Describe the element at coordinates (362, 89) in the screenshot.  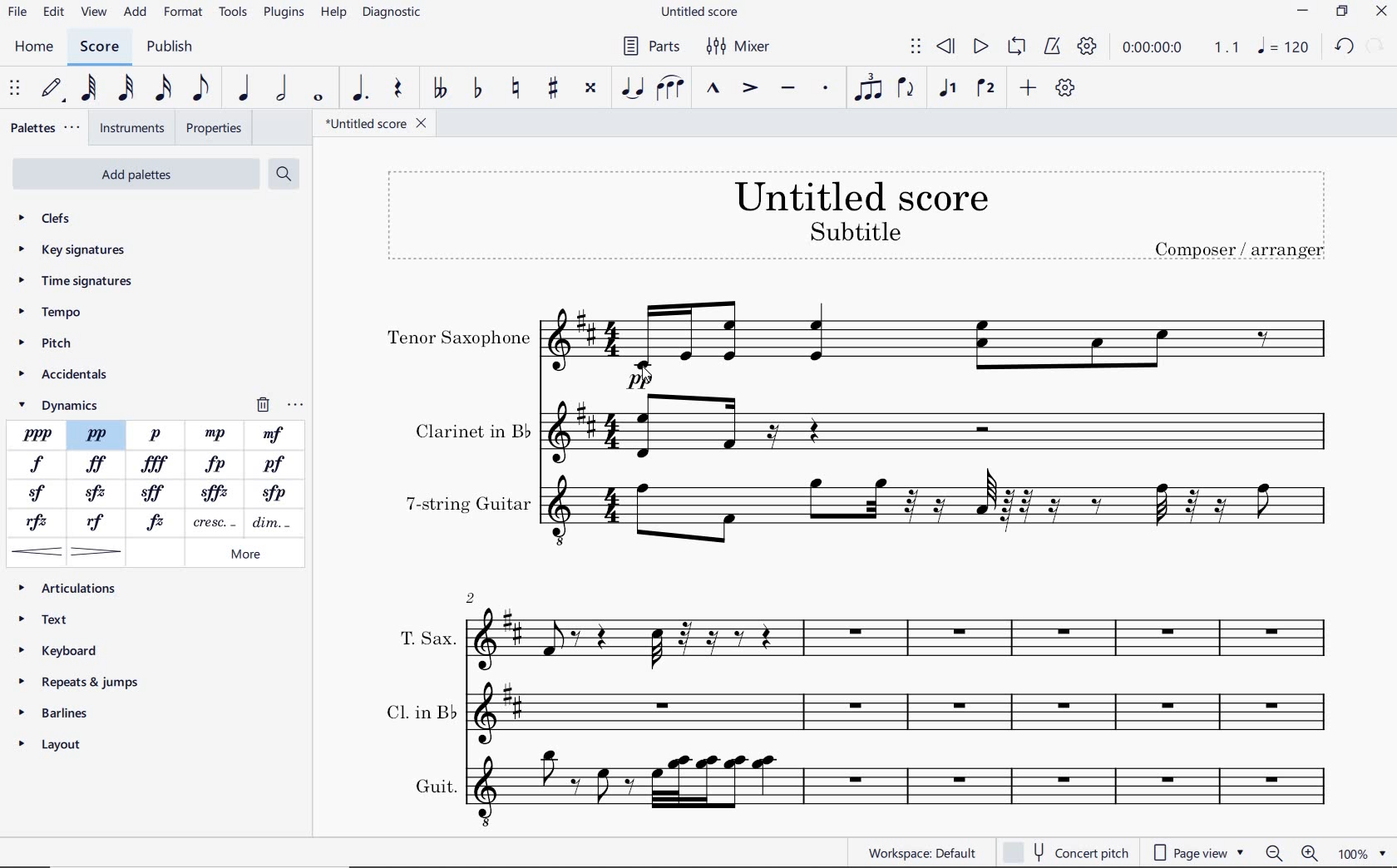
I see `AUGMENTATION DOT` at that location.